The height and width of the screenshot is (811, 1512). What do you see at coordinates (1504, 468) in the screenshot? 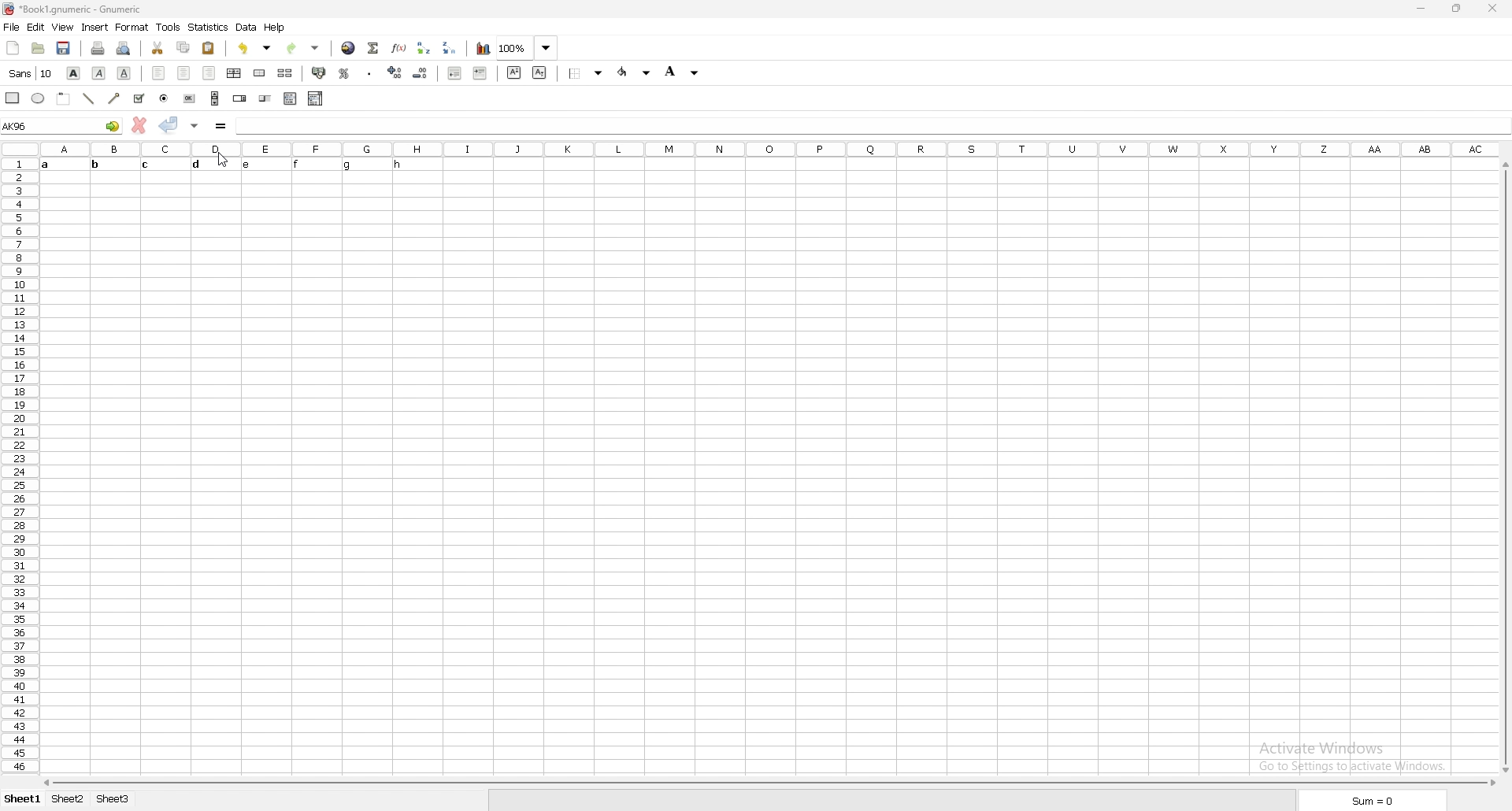
I see `scroll bar` at bounding box center [1504, 468].